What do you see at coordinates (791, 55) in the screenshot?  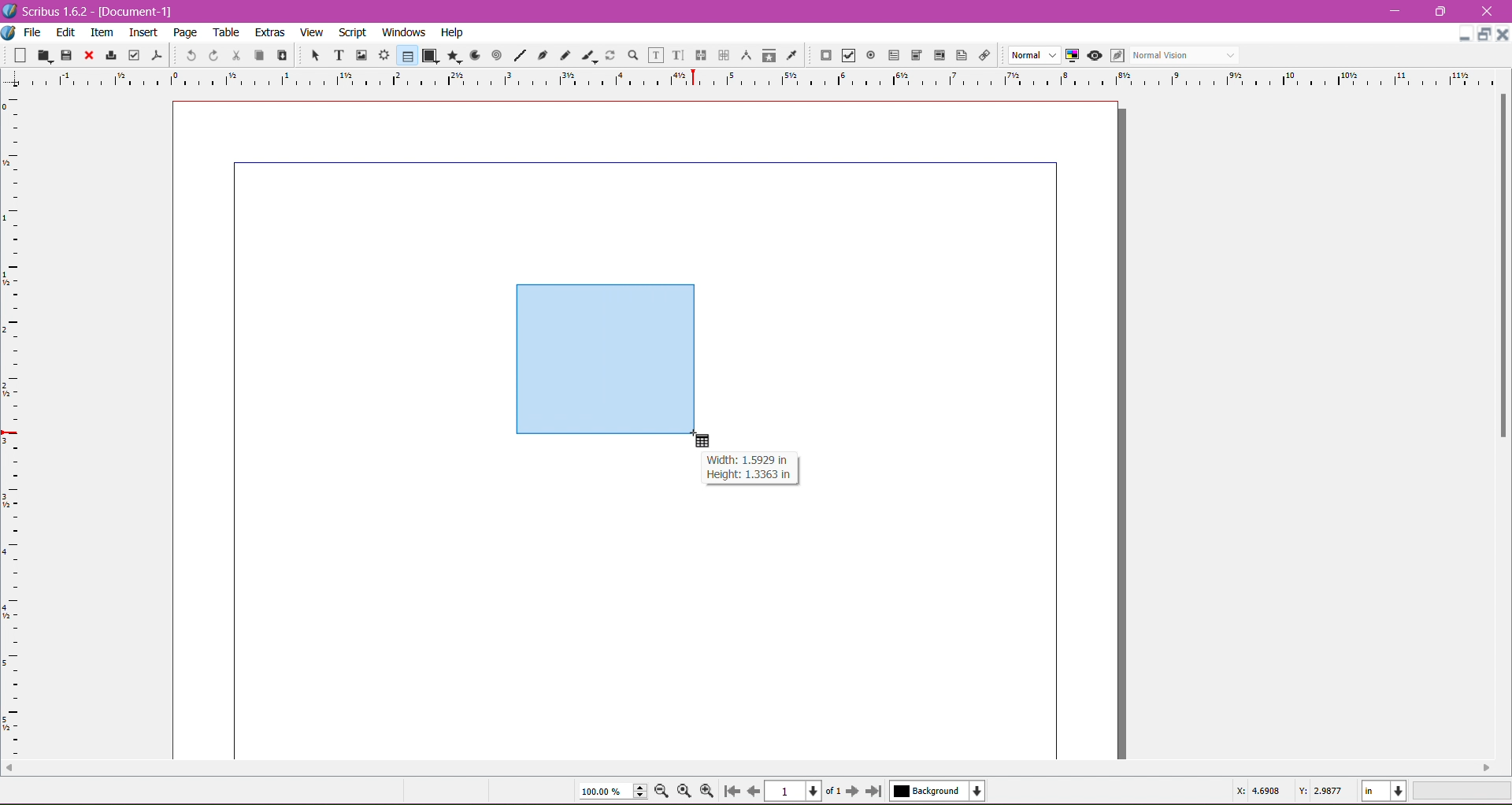 I see `Eye Dropper` at bounding box center [791, 55].